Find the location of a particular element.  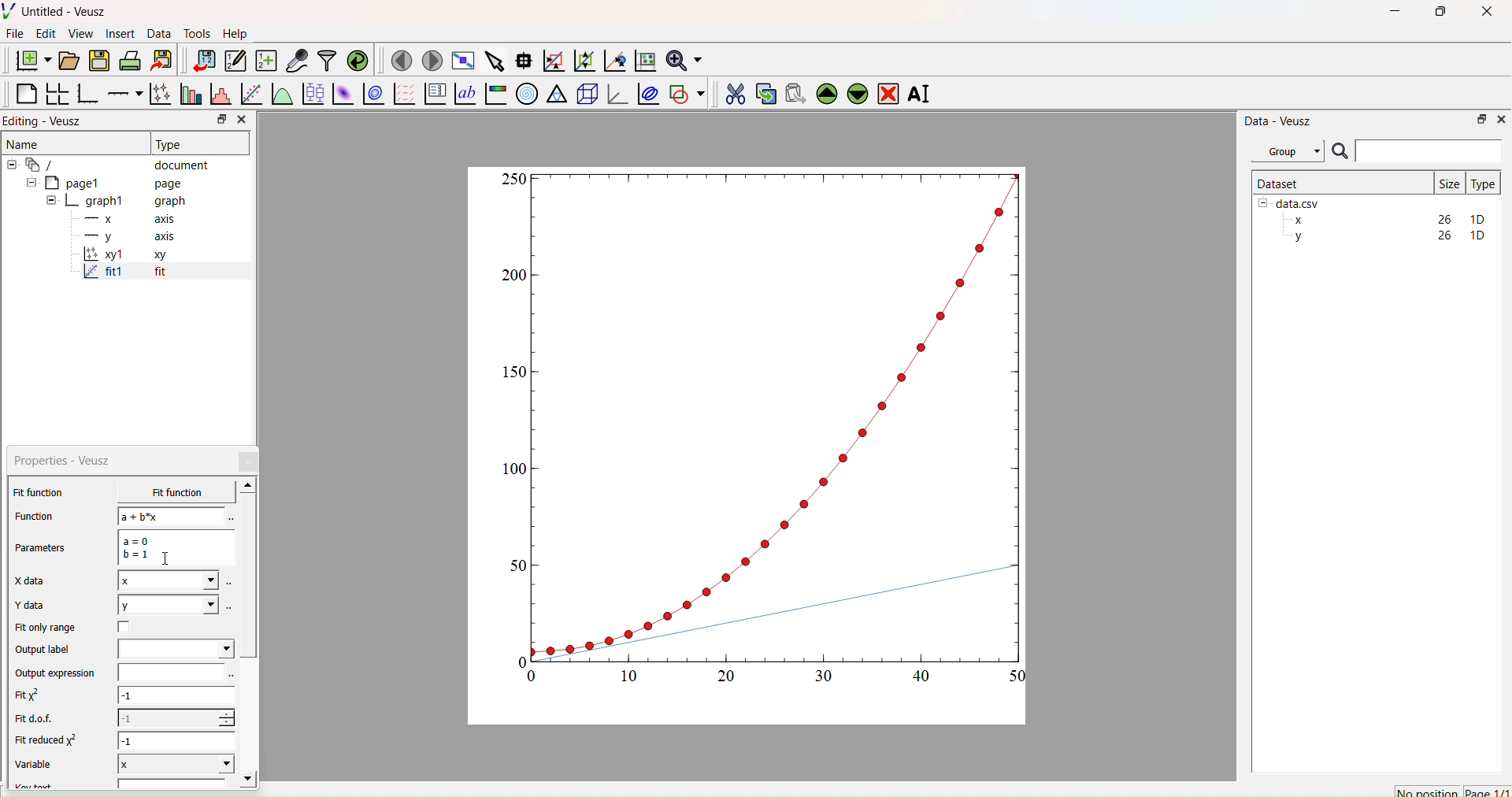

Read data points is located at coordinates (522, 58).